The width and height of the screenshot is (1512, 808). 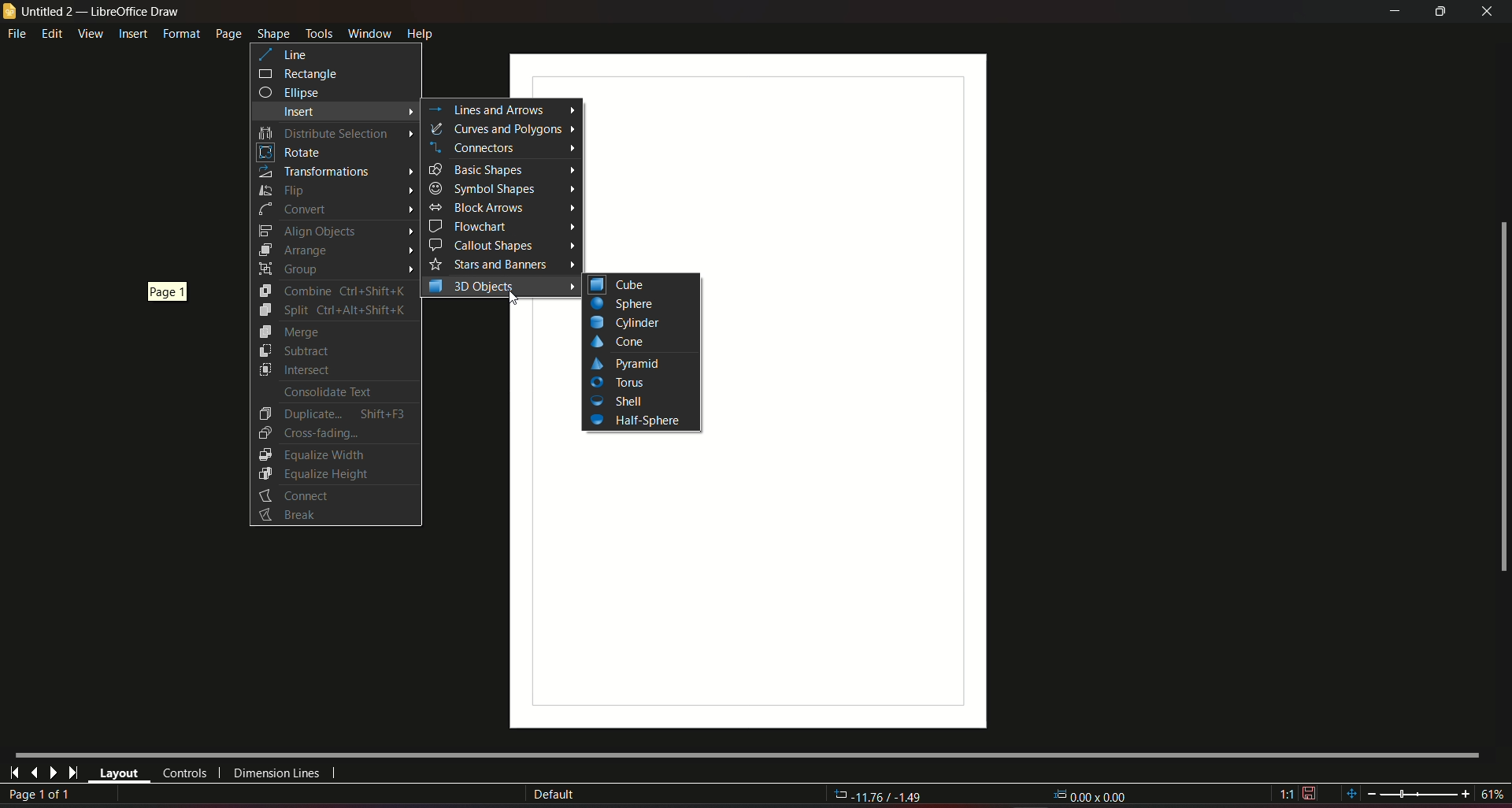 What do you see at coordinates (180, 34) in the screenshot?
I see `format` at bounding box center [180, 34].